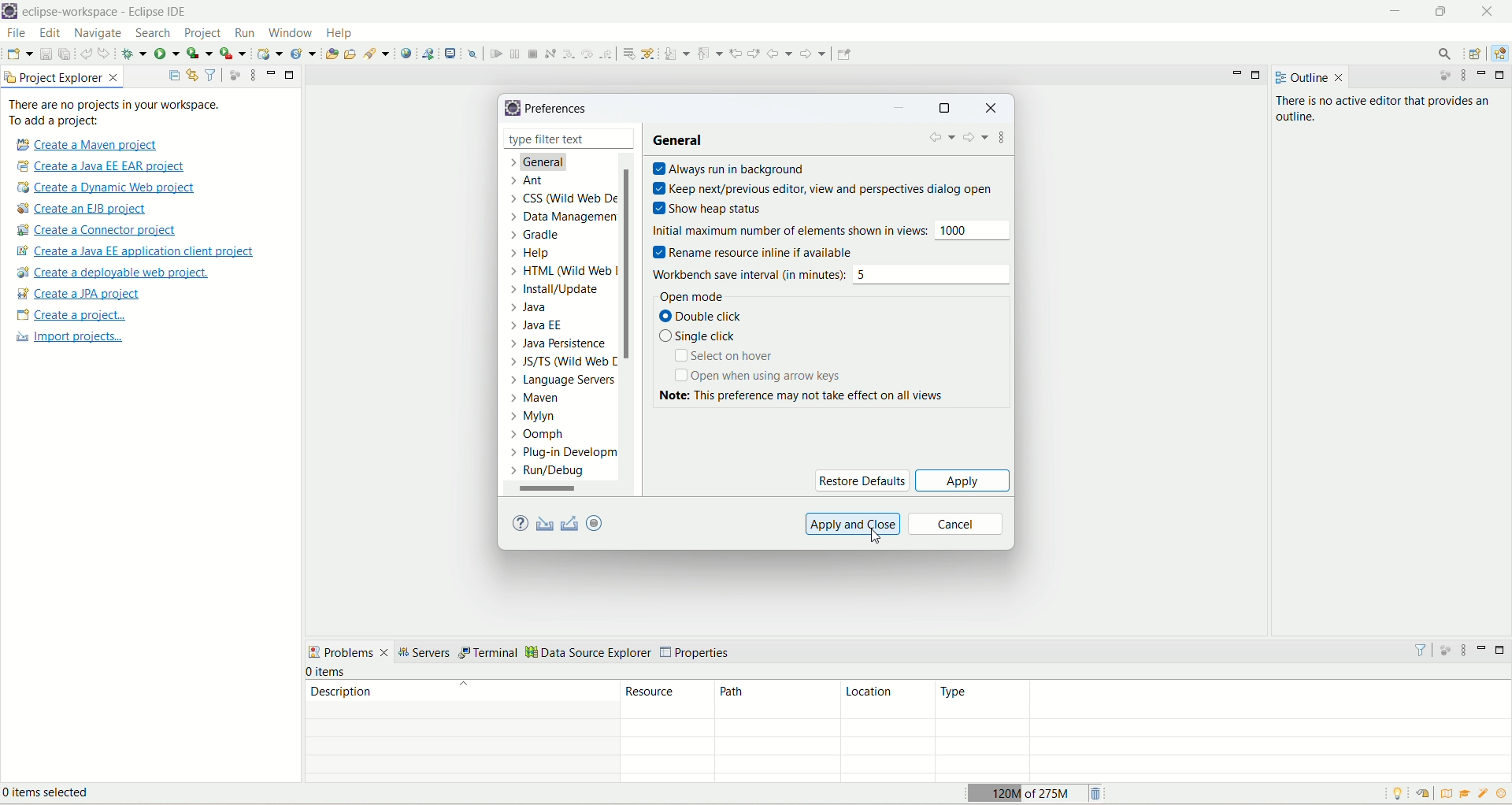 The height and width of the screenshot is (805, 1512). Describe the element at coordinates (166, 52) in the screenshot. I see `run` at that location.